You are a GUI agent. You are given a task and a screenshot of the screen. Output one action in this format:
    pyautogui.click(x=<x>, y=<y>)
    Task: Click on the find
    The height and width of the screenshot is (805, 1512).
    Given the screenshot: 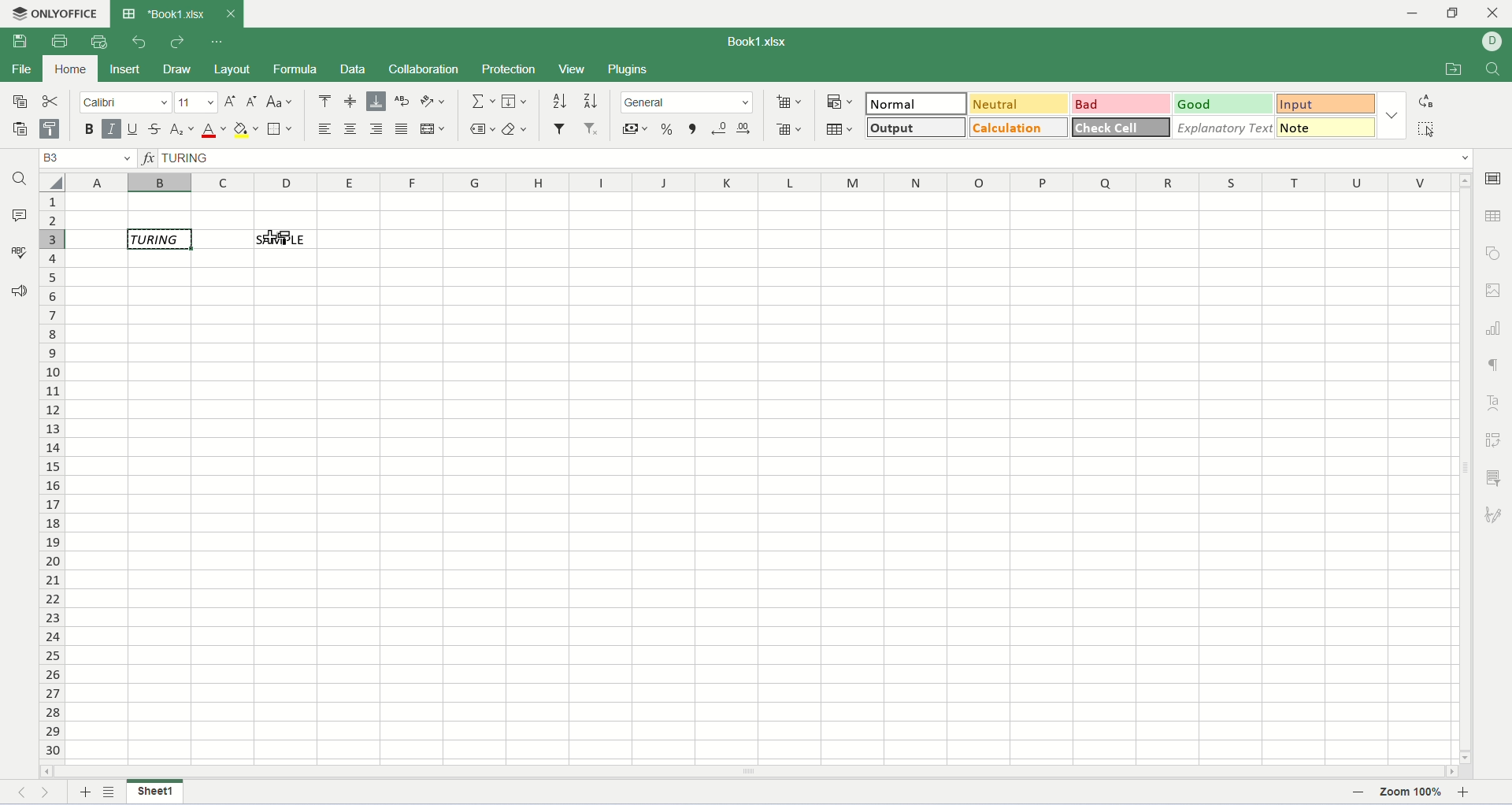 What is the action you would take?
    pyautogui.click(x=1493, y=69)
    